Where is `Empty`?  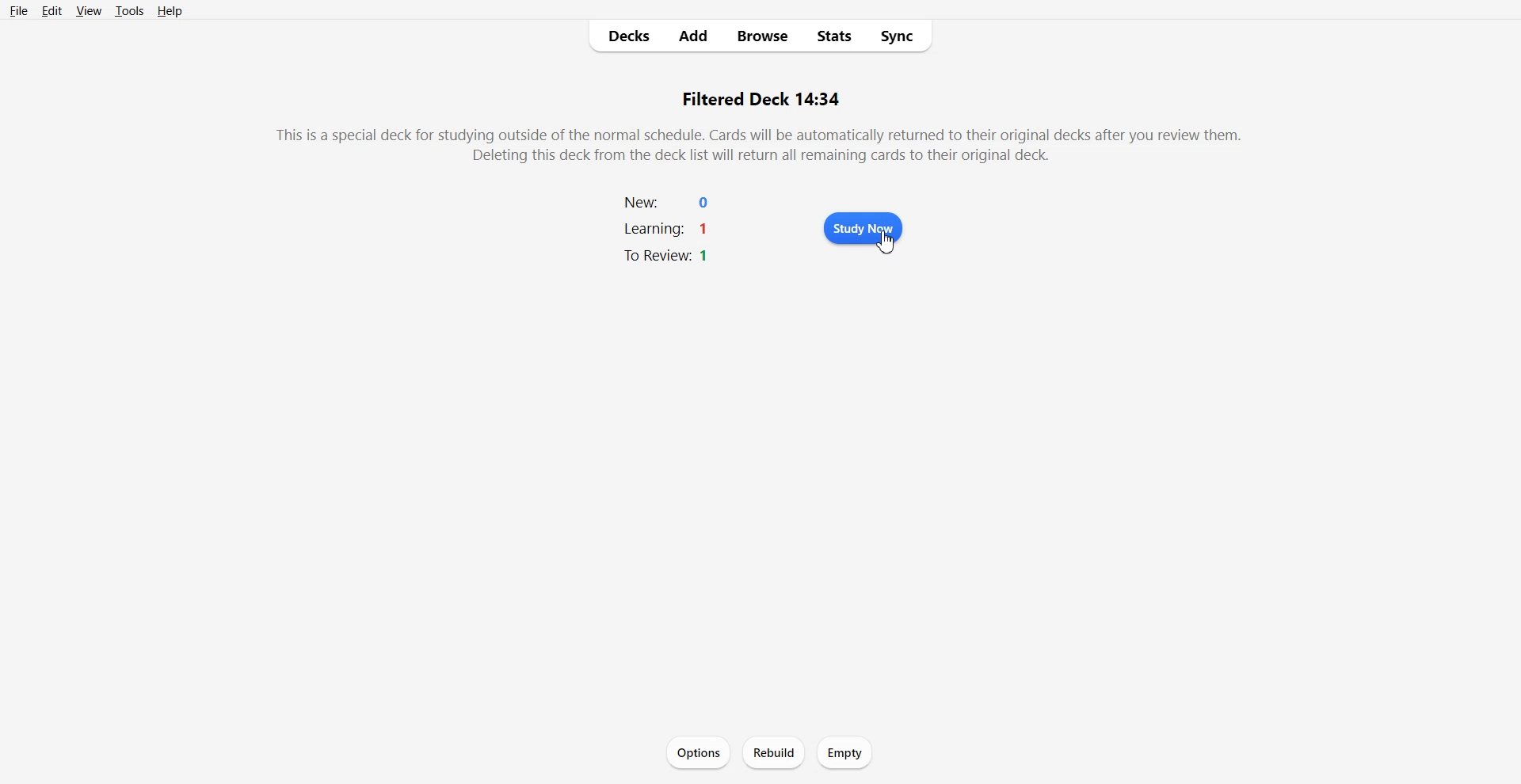
Empty is located at coordinates (845, 752).